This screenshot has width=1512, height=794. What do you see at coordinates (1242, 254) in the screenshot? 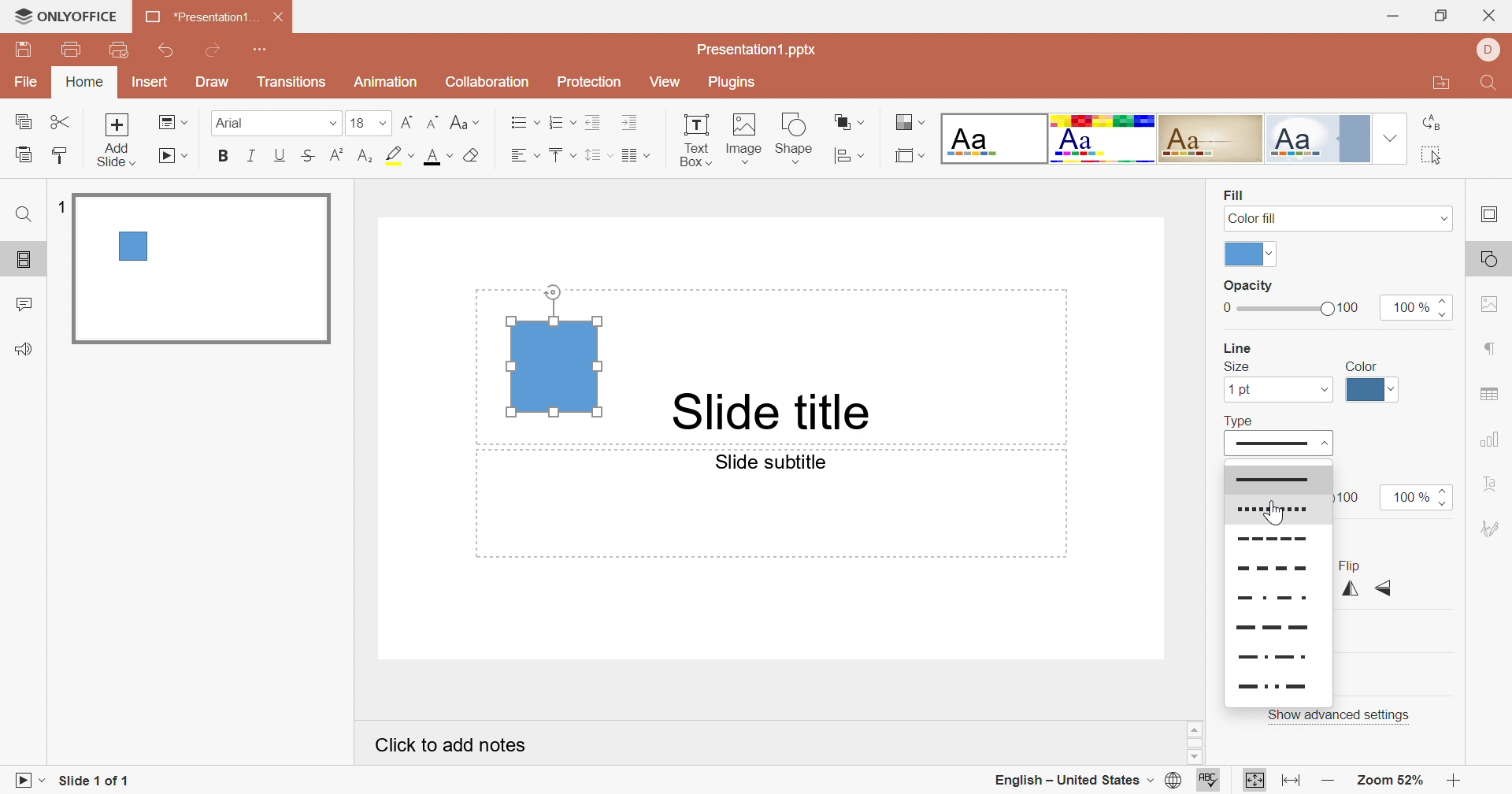
I see `color` at bounding box center [1242, 254].